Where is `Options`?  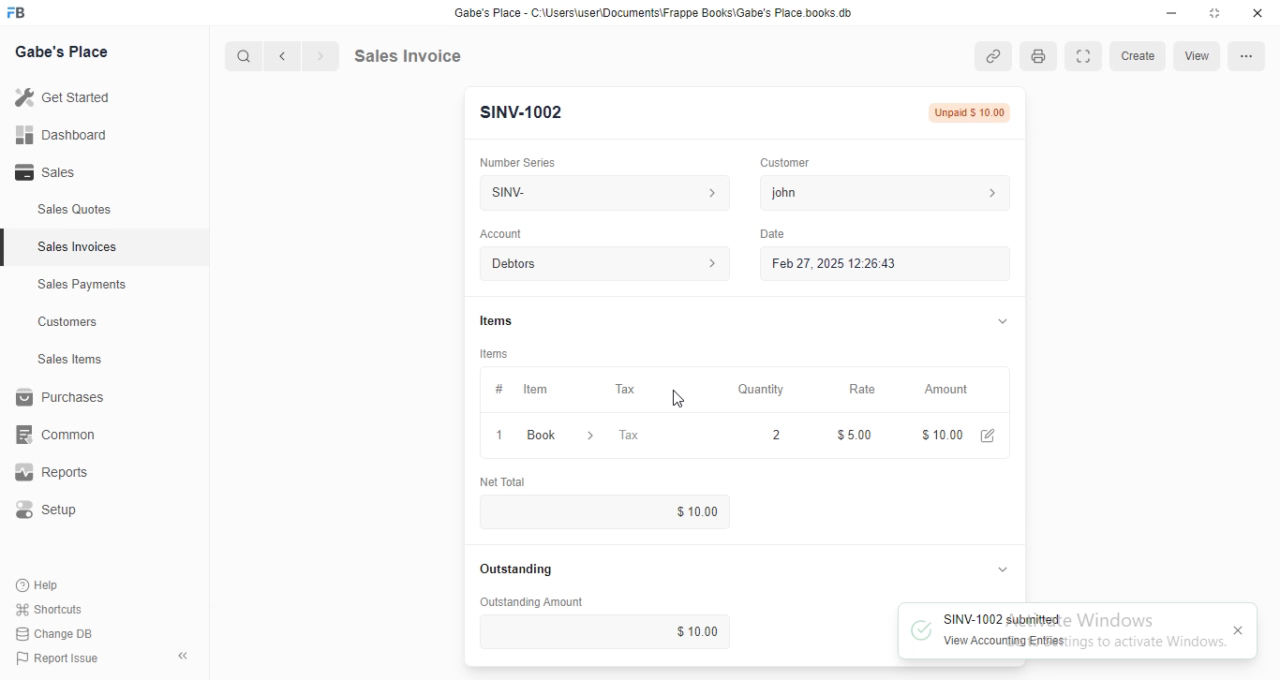 Options is located at coordinates (1250, 57).